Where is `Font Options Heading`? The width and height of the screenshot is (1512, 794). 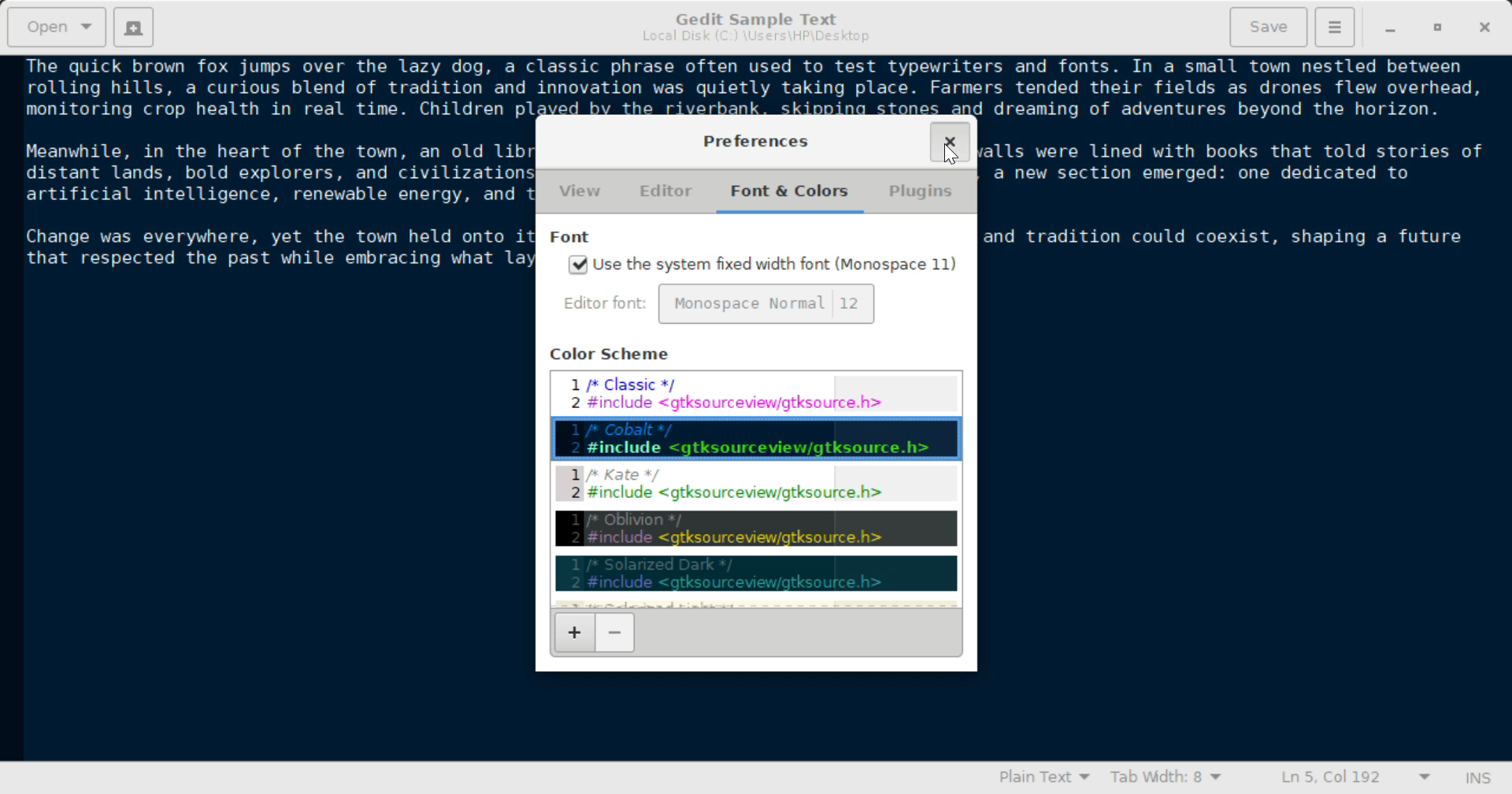
Font Options Heading is located at coordinates (573, 238).